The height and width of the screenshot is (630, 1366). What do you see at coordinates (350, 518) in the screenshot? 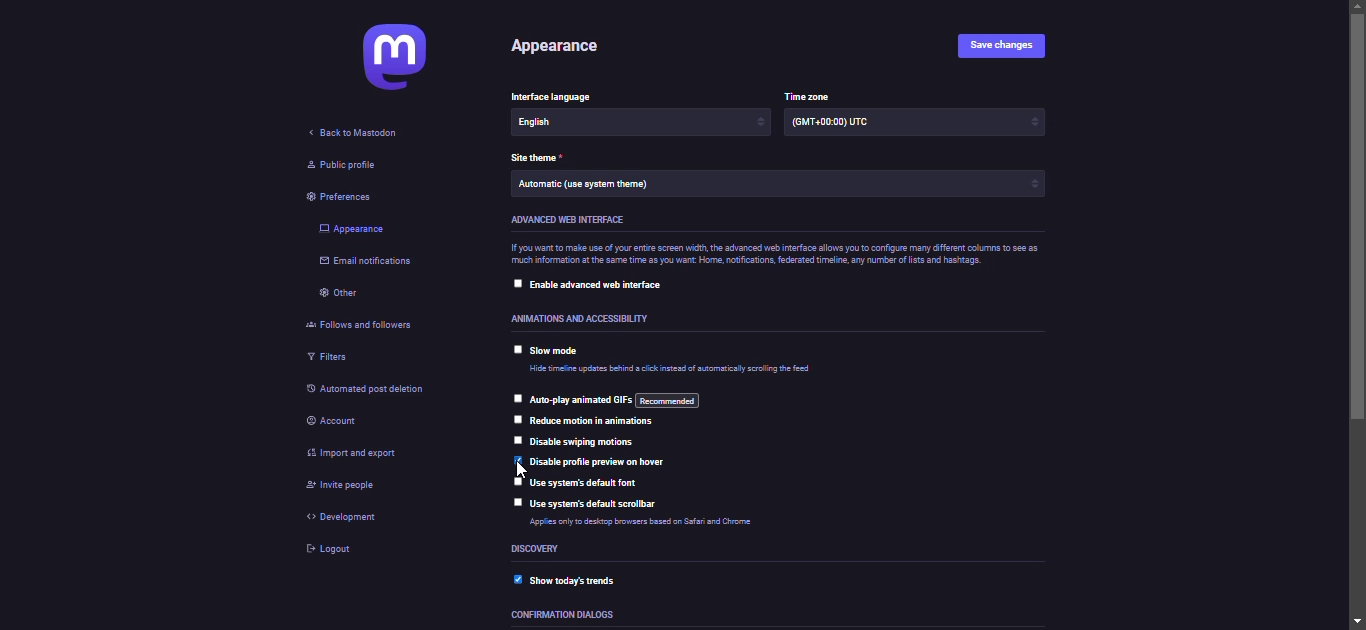
I see `development` at bounding box center [350, 518].